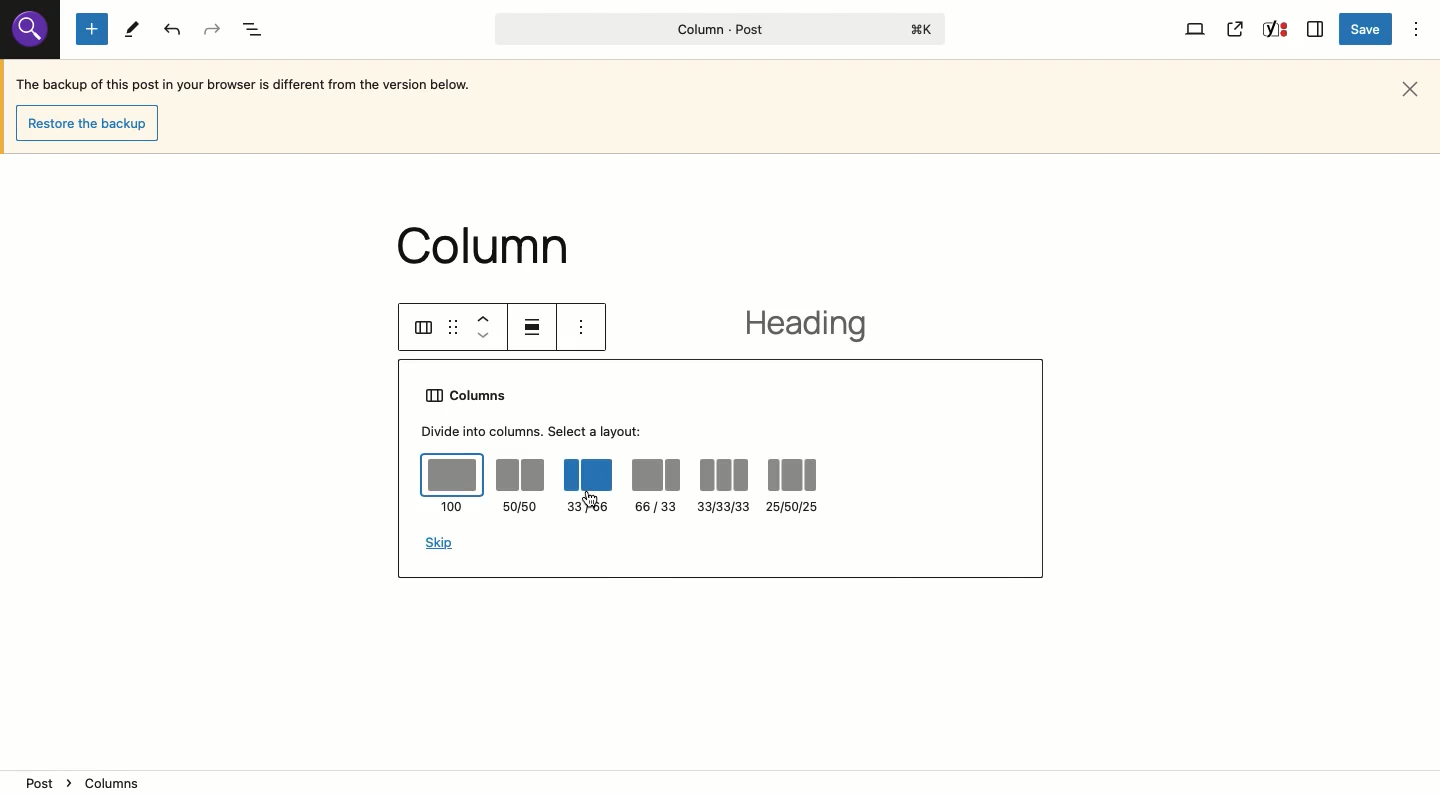 This screenshot has height=794, width=1440. I want to click on 33,66, so click(588, 486).